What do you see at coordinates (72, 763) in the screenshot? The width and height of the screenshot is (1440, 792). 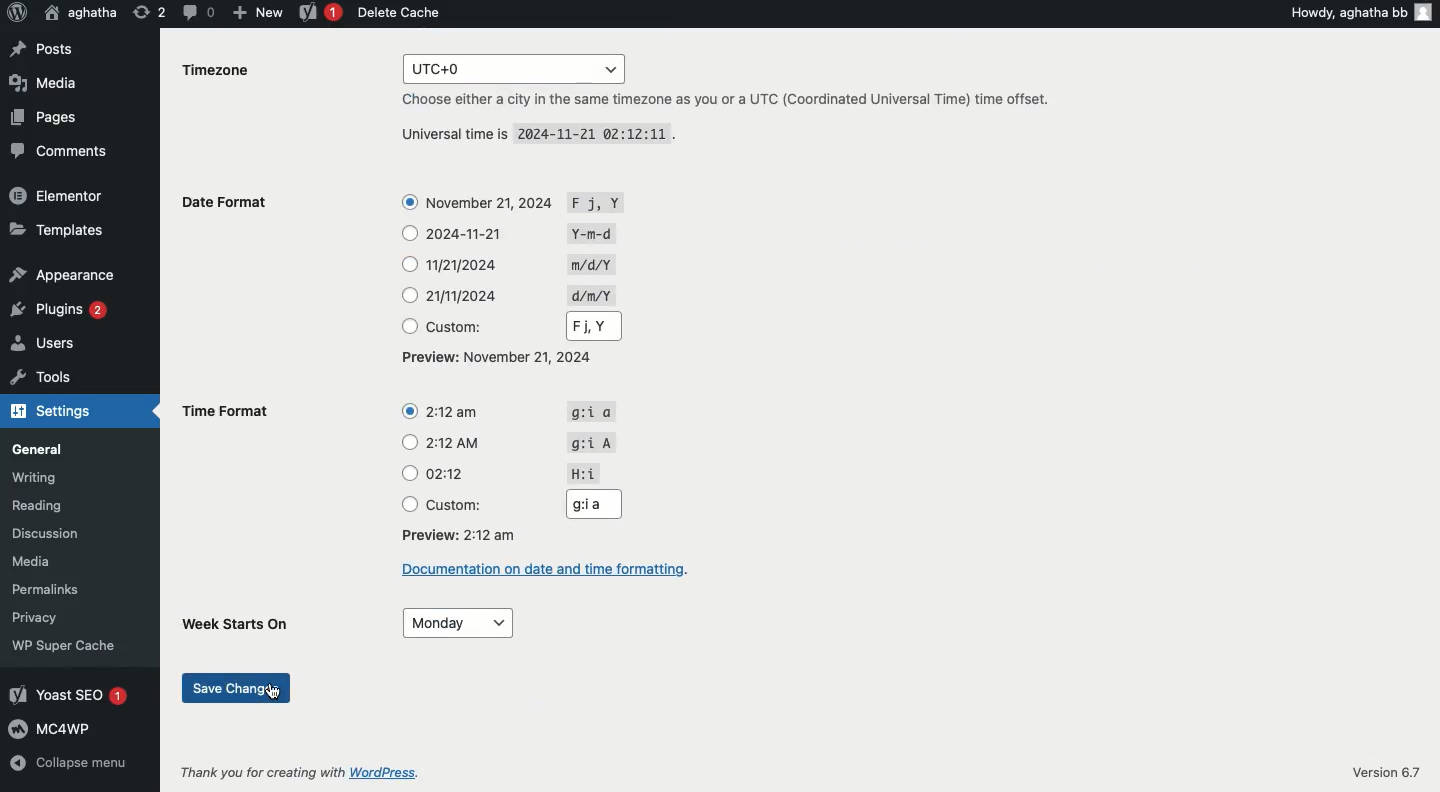 I see `Collapse menu` at bounding box center [72, 763].